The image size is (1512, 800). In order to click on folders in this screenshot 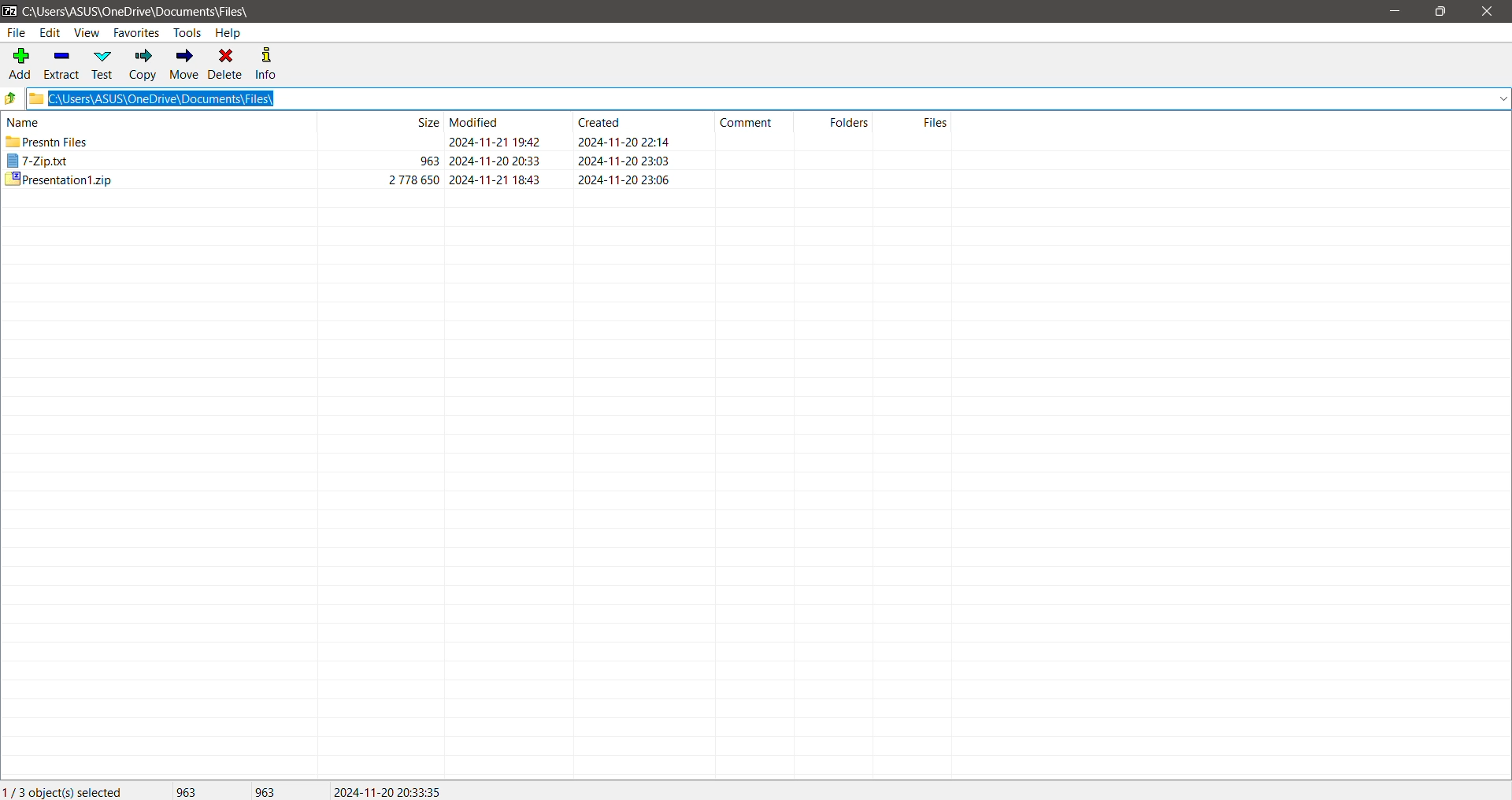, I will do `click(850, 122)`.